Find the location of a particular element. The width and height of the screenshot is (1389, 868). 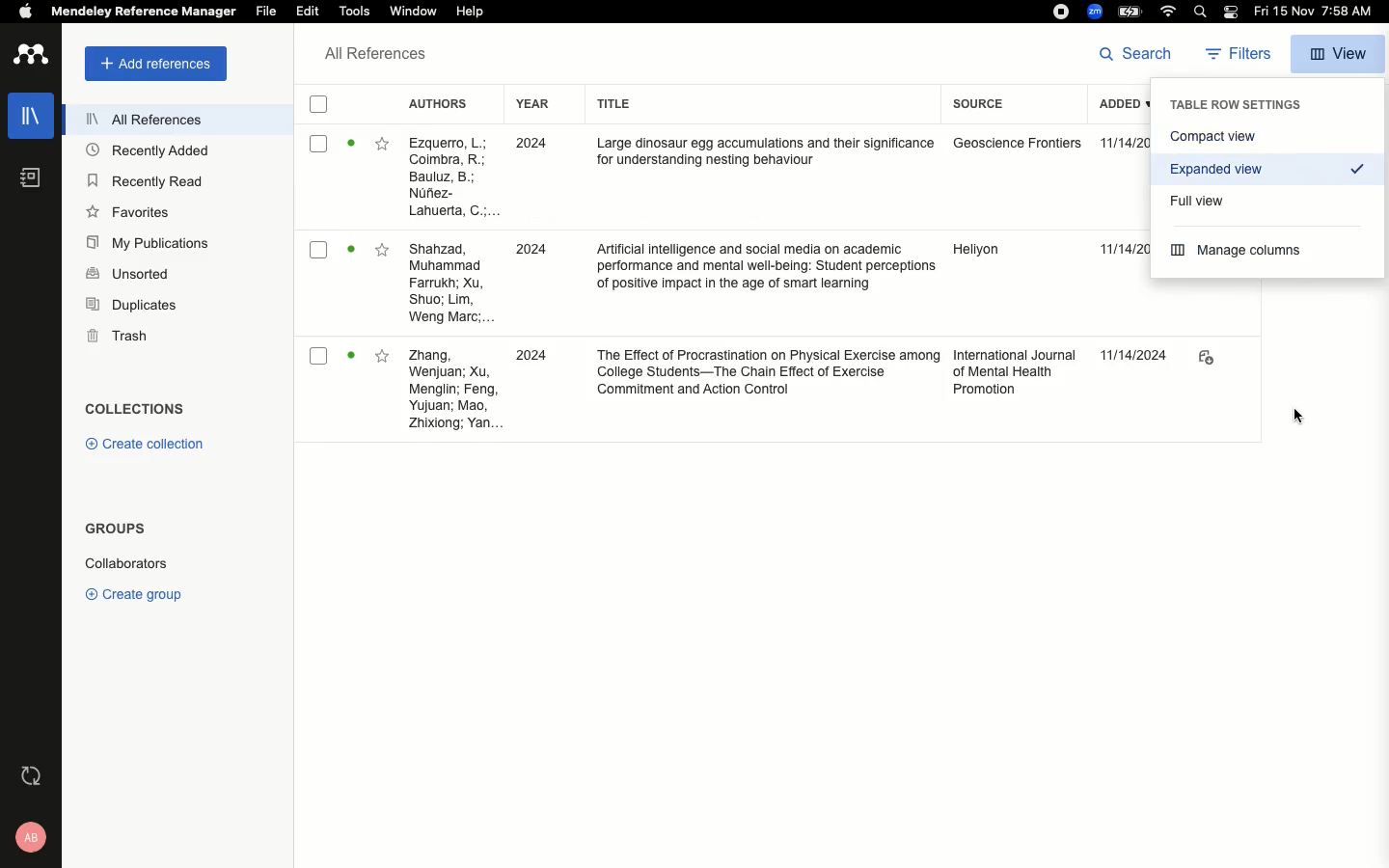

Source is located at coordinates (981, 107).